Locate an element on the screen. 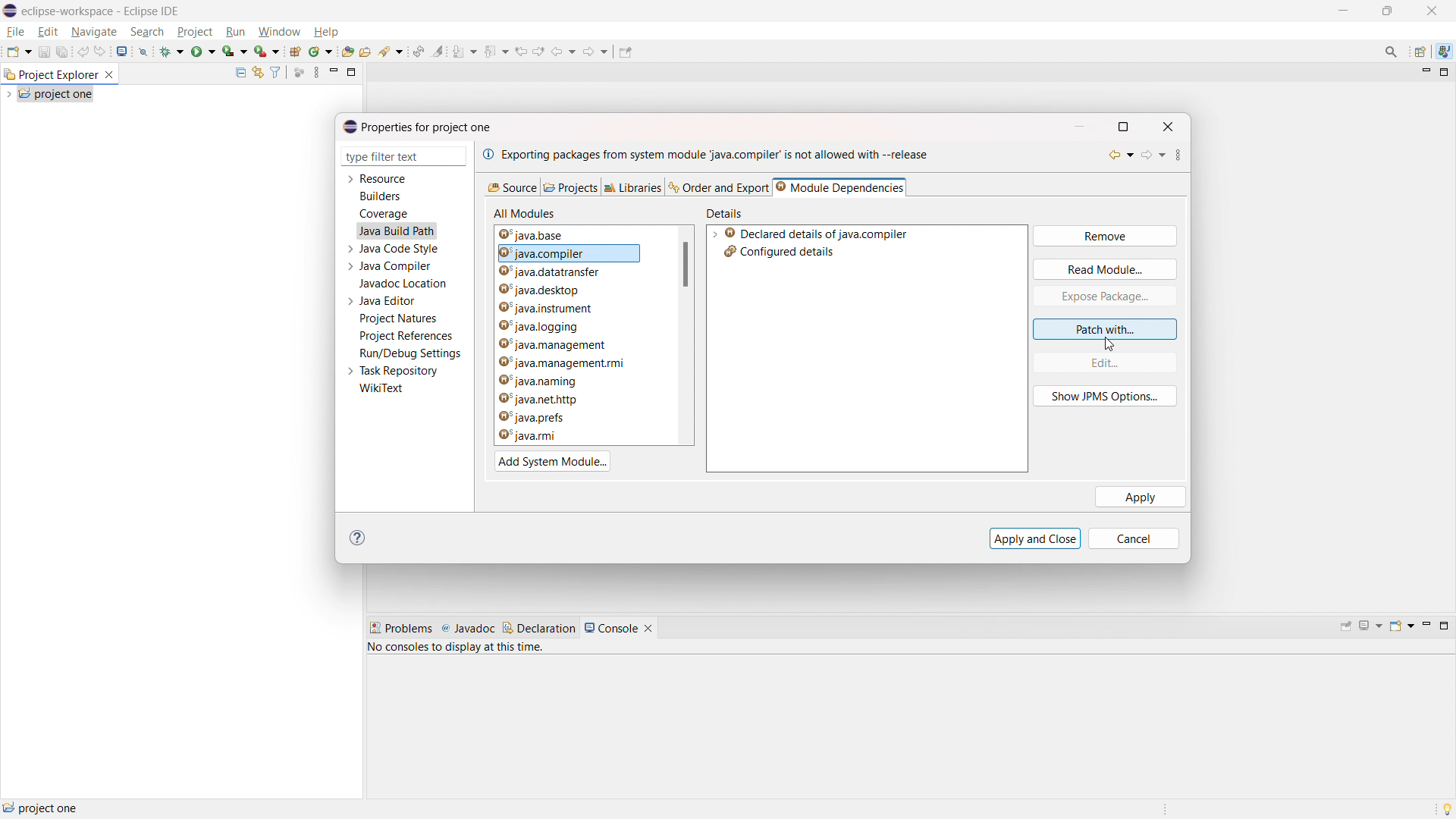 This screenshot has width=1456, height=819. skip all breakpoint is located at coordinates (143, 50).